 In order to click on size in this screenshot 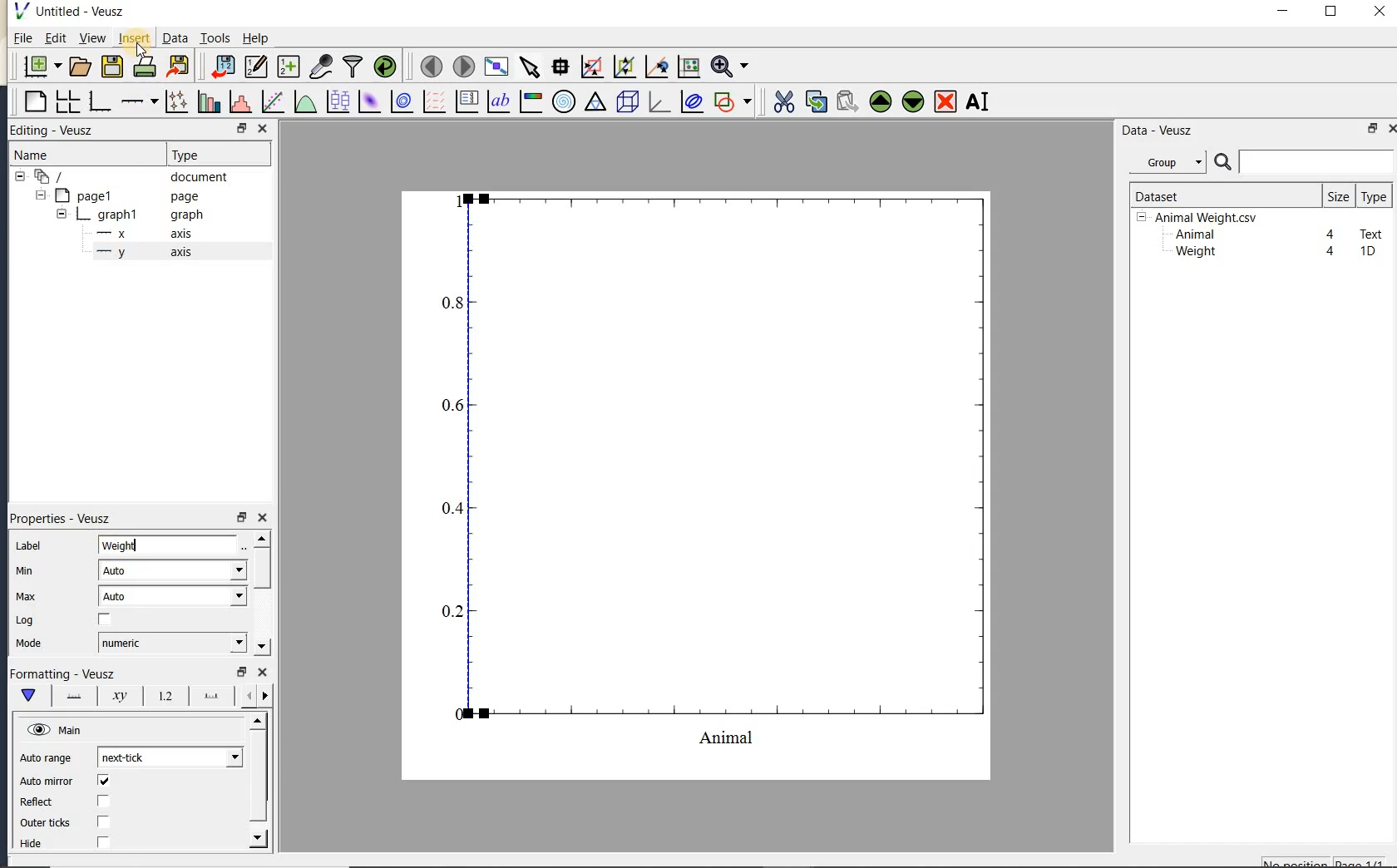, I will do `click(1338, 195)`.